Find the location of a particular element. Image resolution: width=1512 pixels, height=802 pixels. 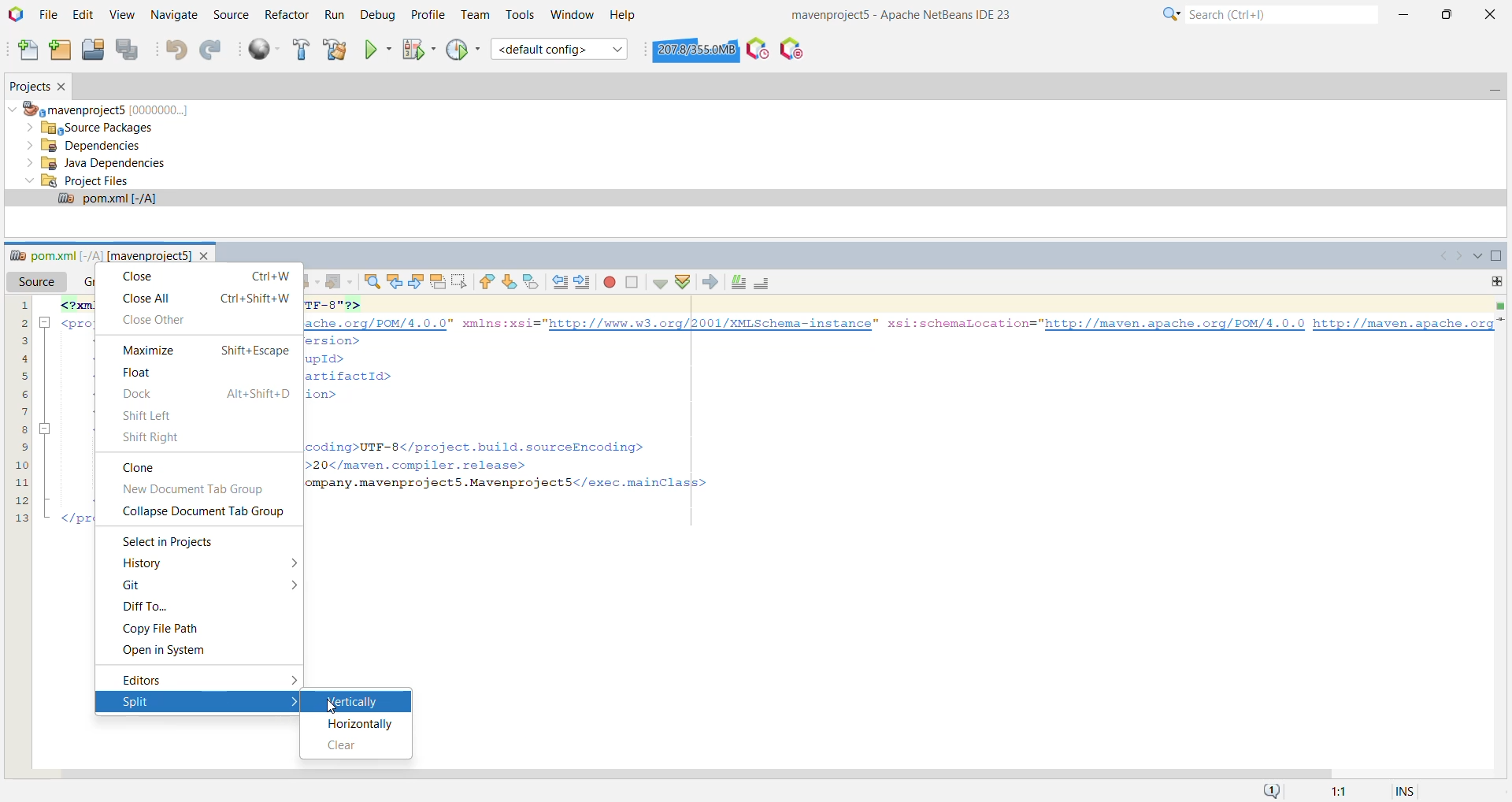

XSL Transformation is located at coordinates (709, 282).